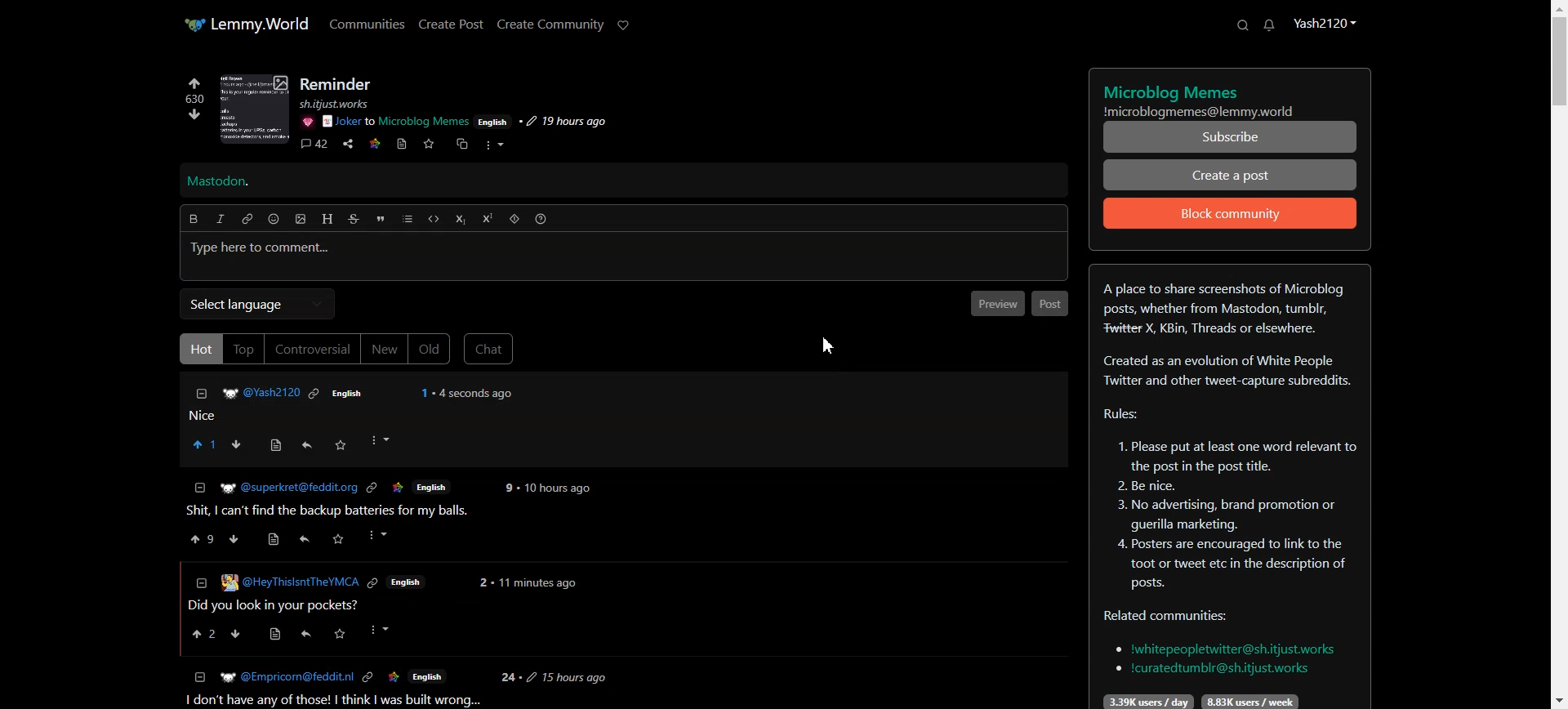 The height and width of the screenshot is (709, 1568). Describe the element at coordinates (198, 582) in the screenshot. I see `=}` at that location.